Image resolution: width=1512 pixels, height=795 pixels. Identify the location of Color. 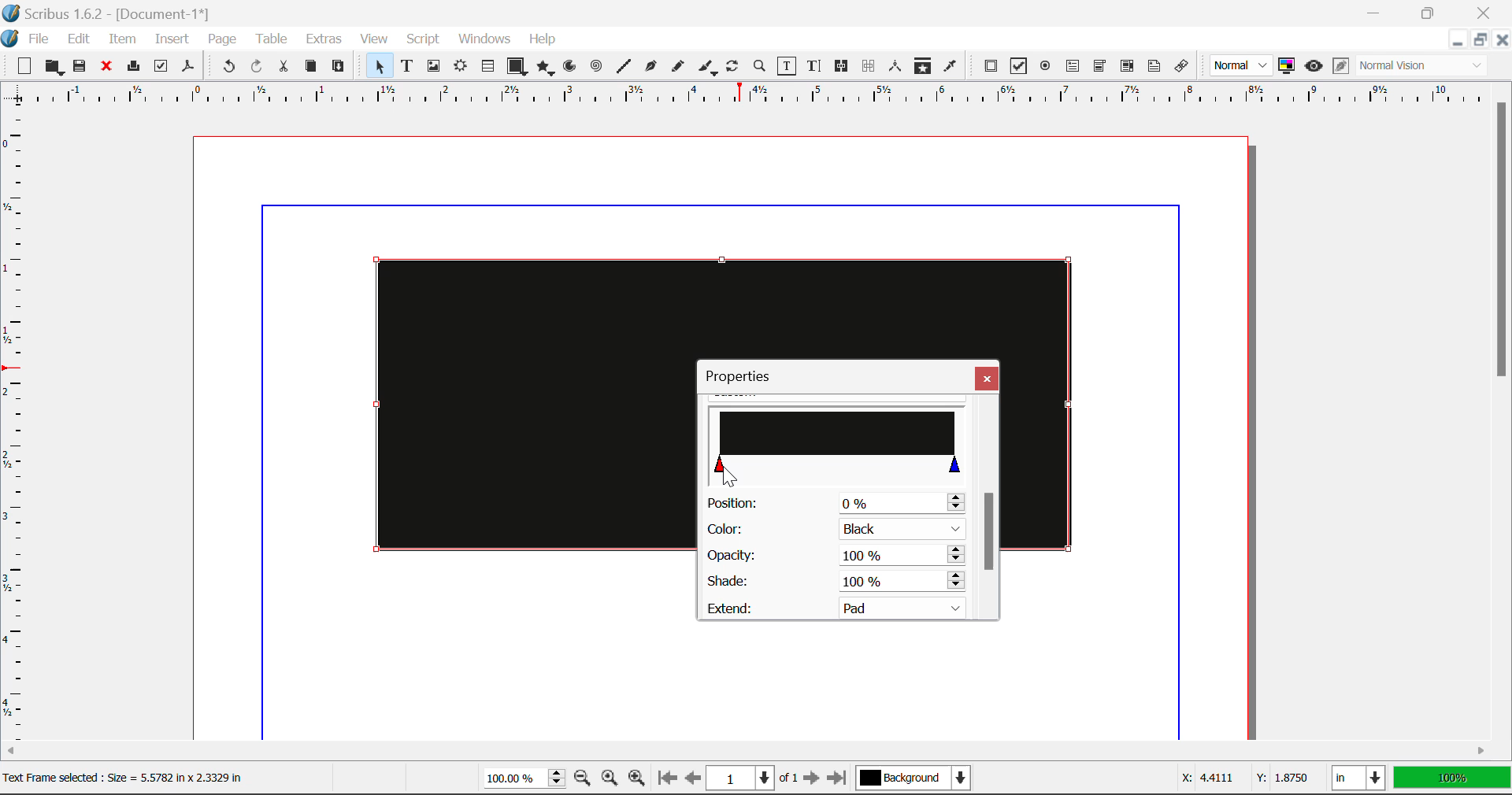
(833, 530).